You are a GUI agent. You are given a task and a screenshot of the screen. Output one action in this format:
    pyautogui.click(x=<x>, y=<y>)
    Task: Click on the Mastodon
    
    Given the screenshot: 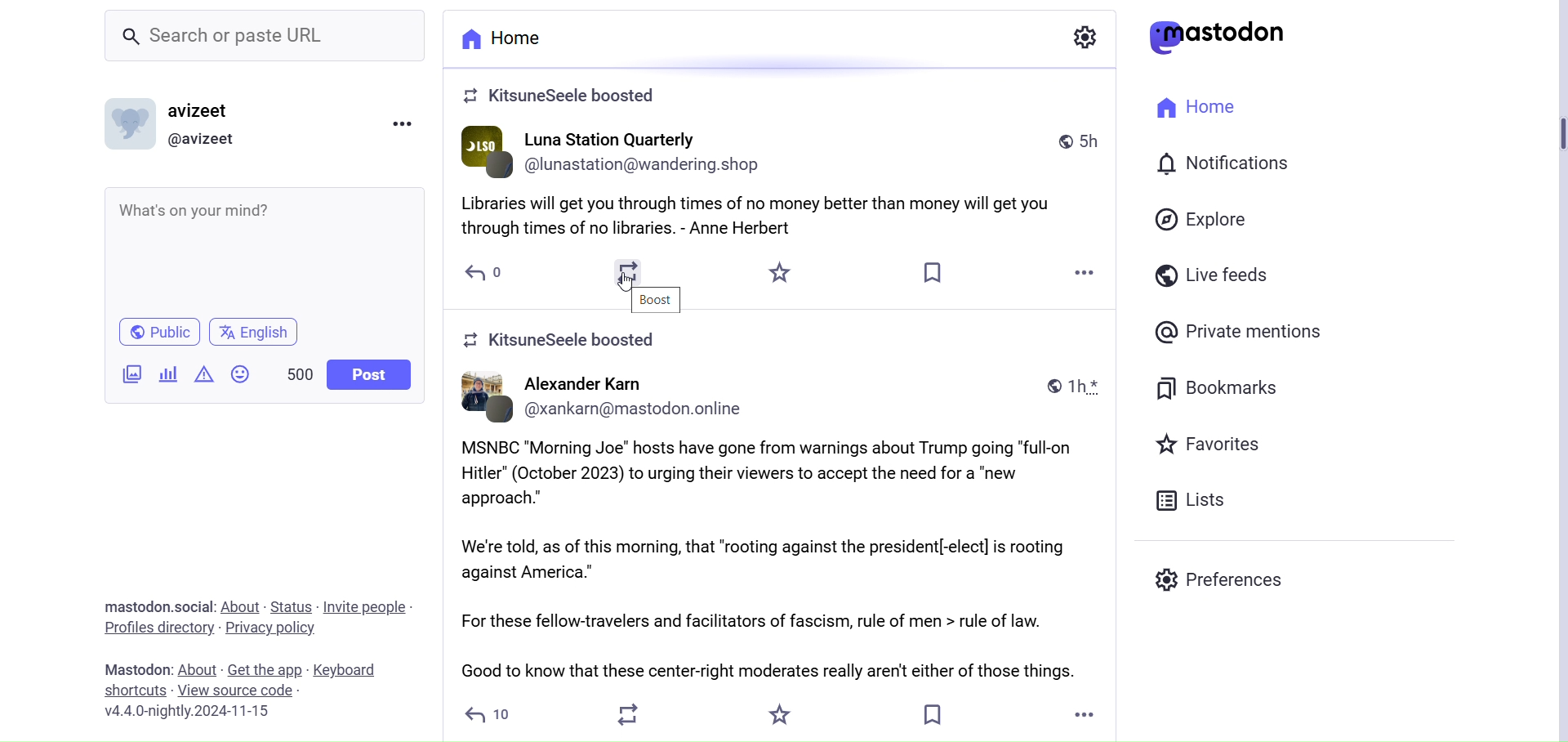 What is the action you would take?
    pyautogui.click(x=137, y=668)
    